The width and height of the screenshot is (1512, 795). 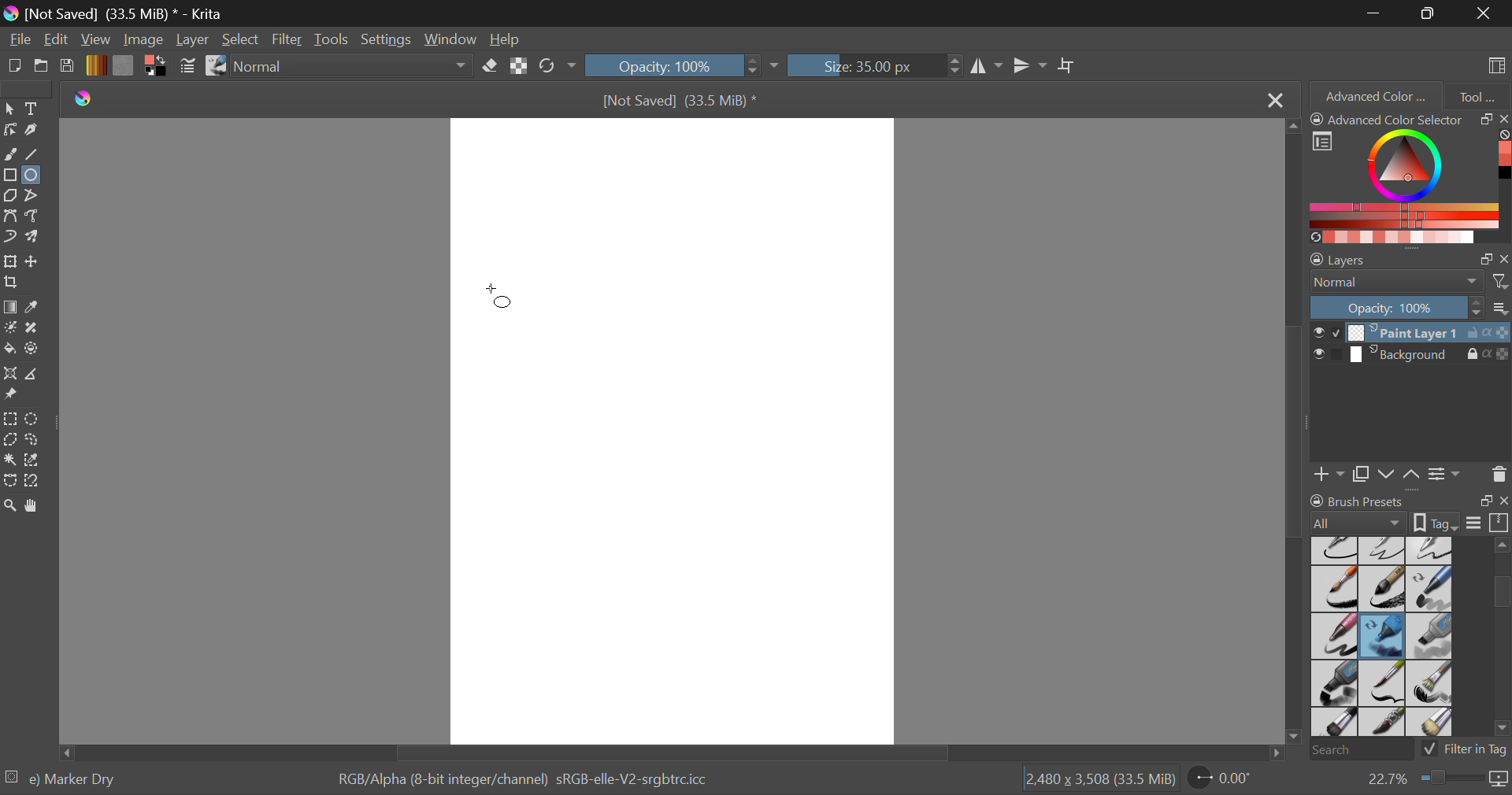 What do you see at coordinates (32, 419) in the screenshot?
I see `Elliptical Selection Tool` at bounding box center [32, 419].